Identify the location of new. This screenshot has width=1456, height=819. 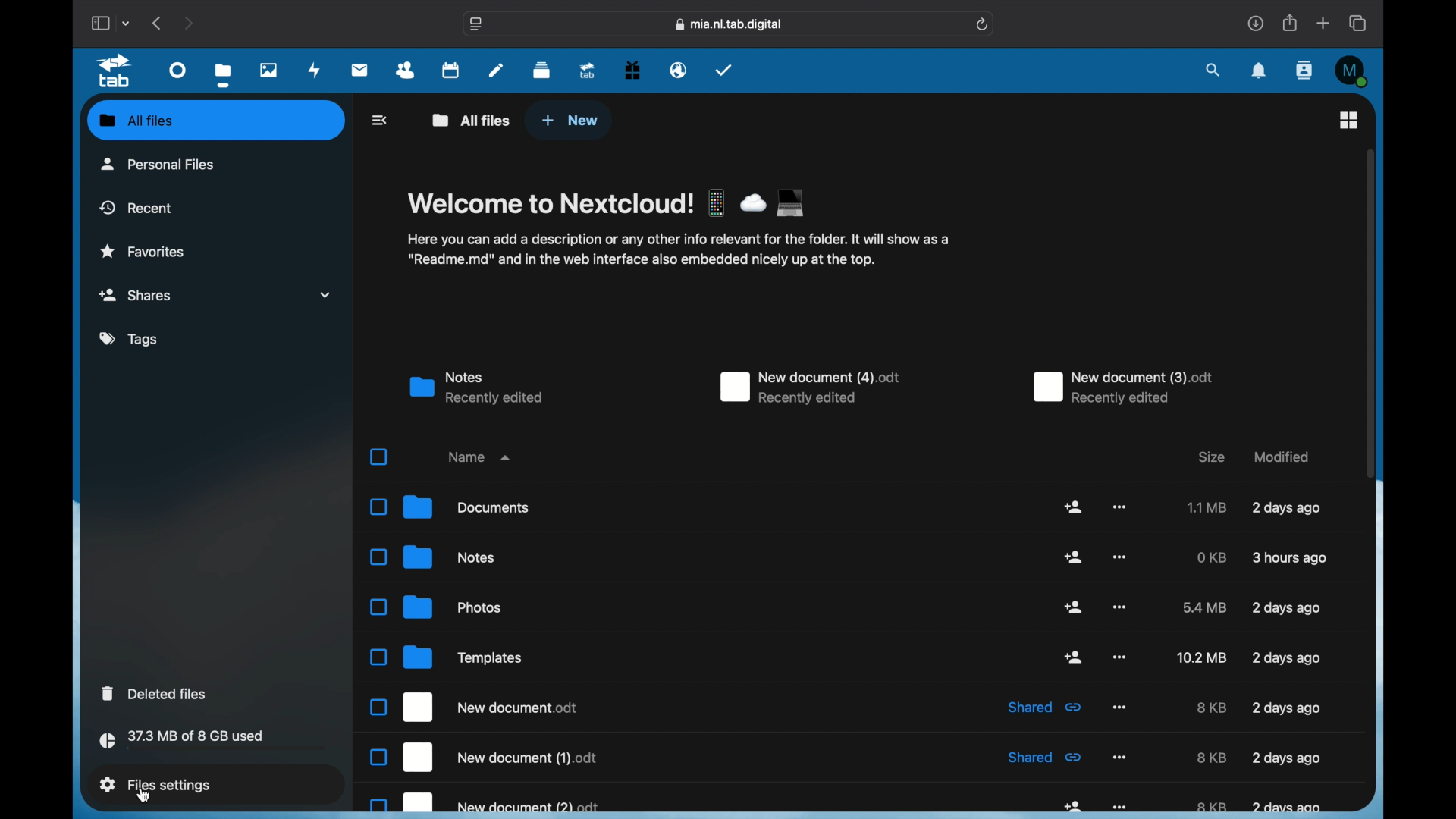
(570, 121).